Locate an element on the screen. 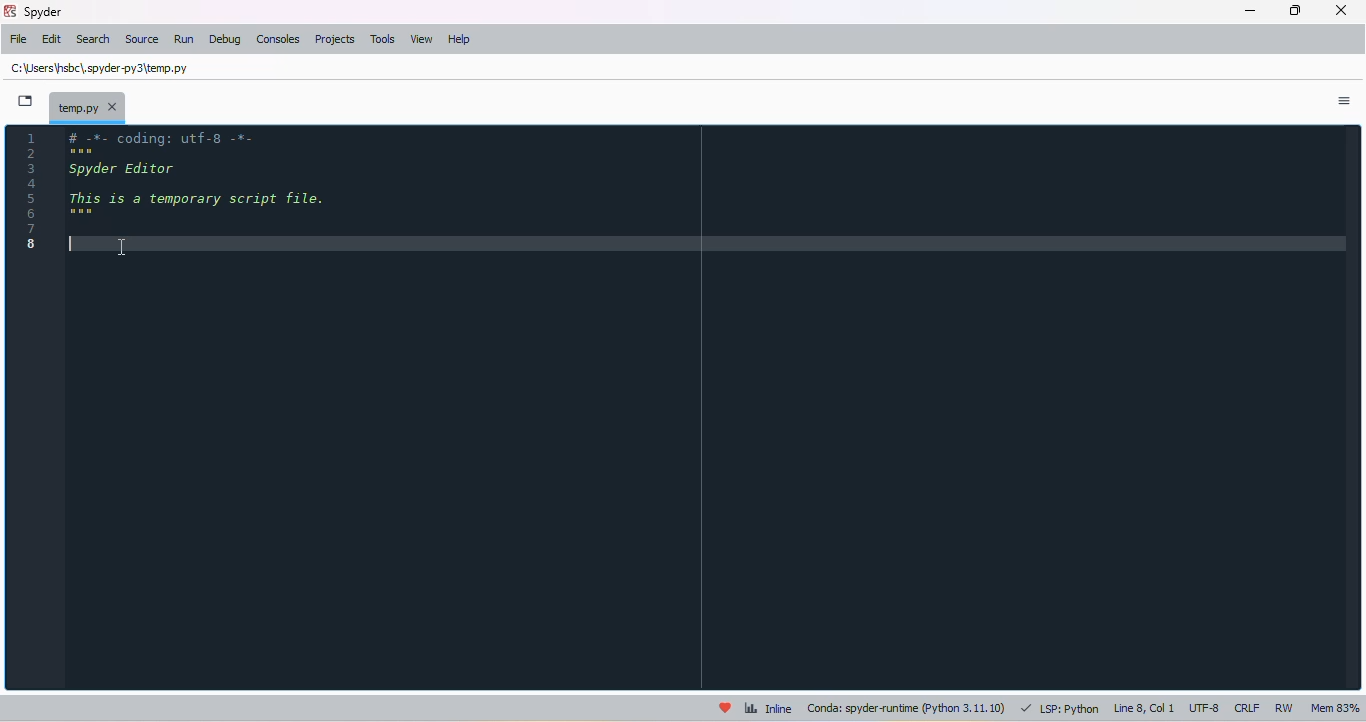 Image resolution: width=1366 pixels, height=722 pixels. CRLF is located at coordinates (1247, 709).